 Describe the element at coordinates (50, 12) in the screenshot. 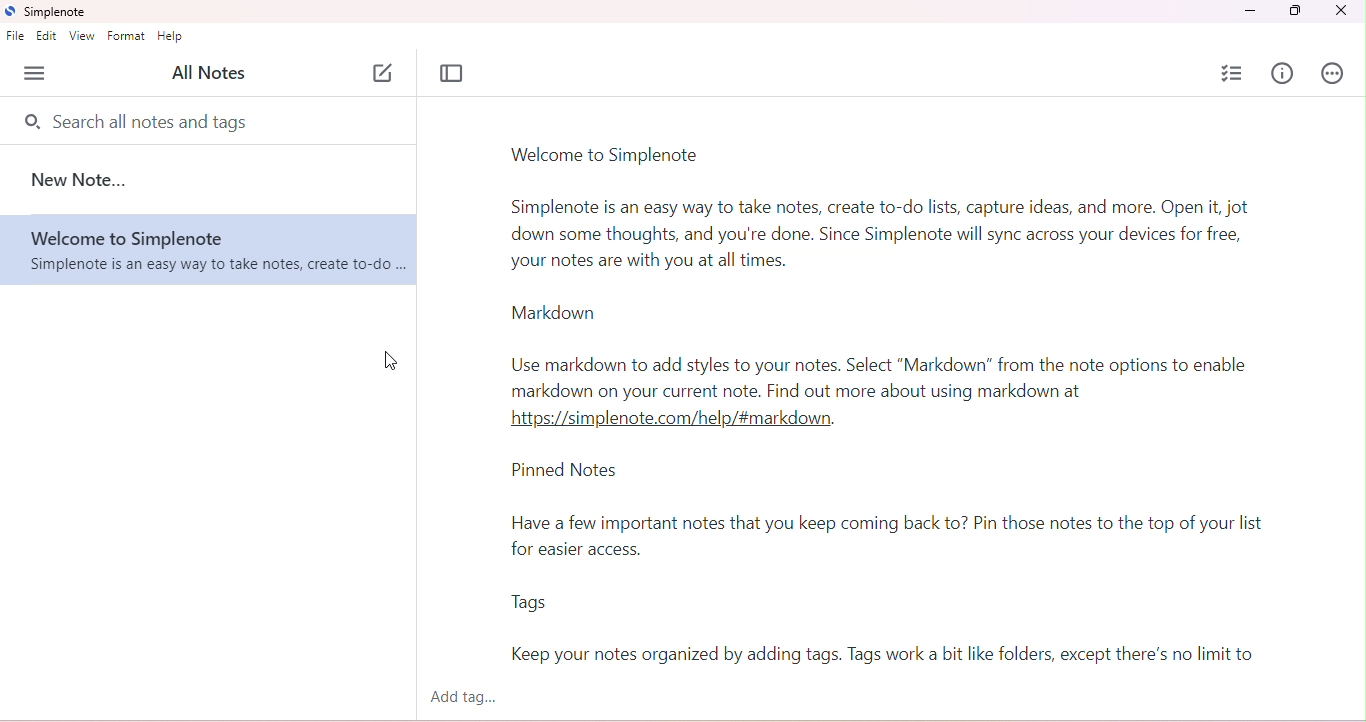

I see `simple note` at that location.